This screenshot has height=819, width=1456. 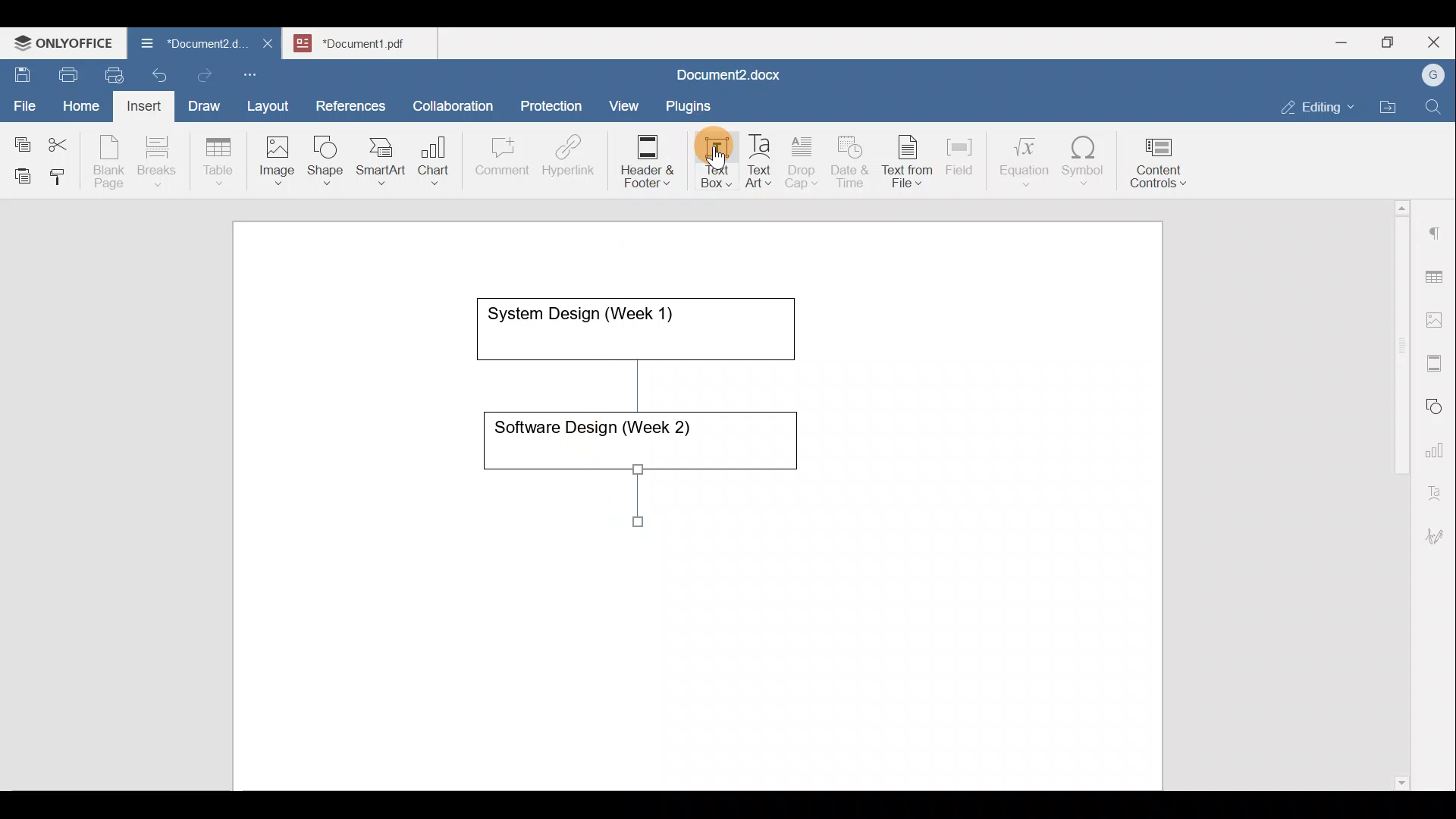 I want to click on Date & time, so click(x=851, y=159).